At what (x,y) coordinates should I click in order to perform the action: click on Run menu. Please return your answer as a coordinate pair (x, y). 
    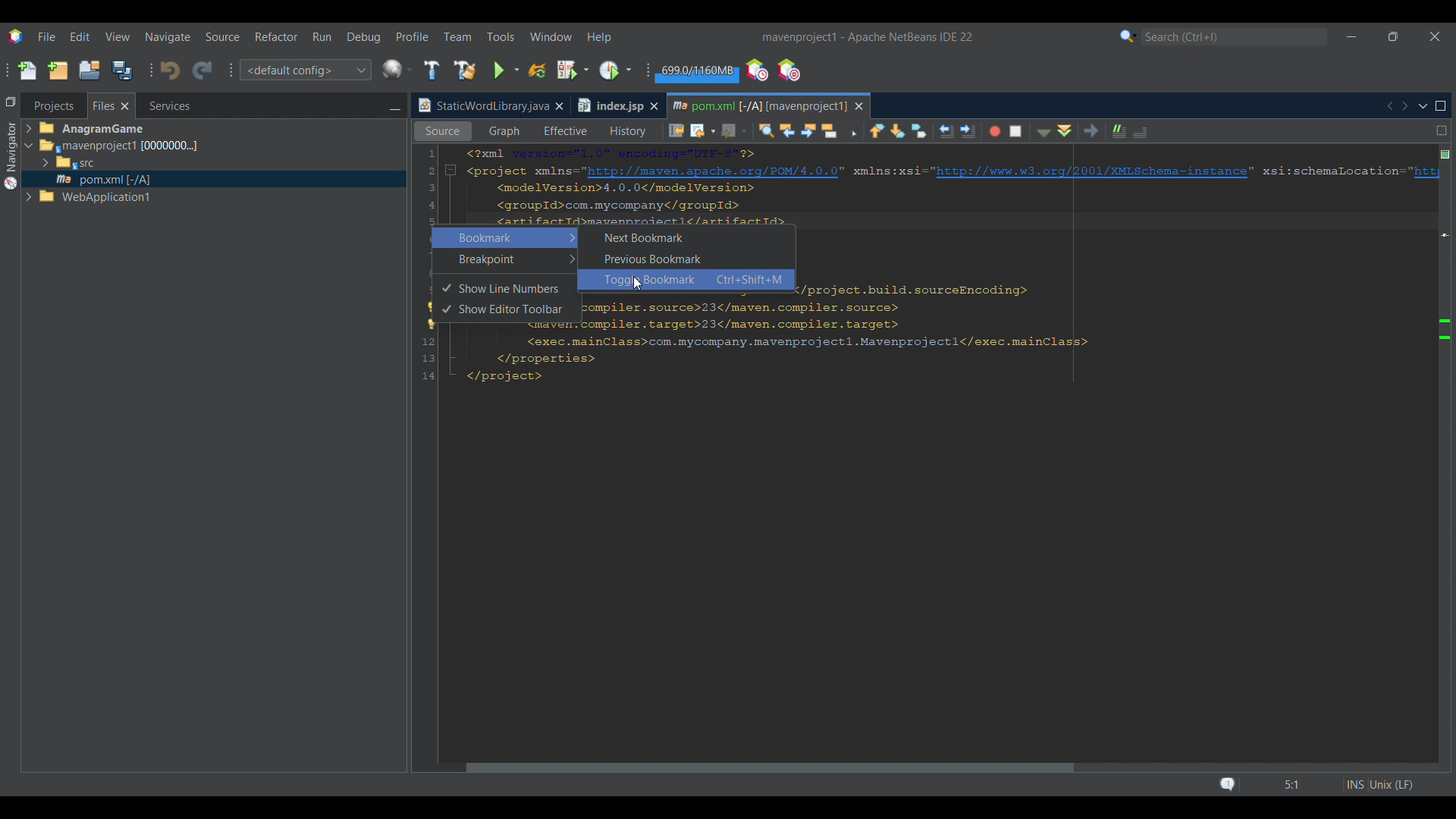
    Looking at the image, I should click on (322, 36).